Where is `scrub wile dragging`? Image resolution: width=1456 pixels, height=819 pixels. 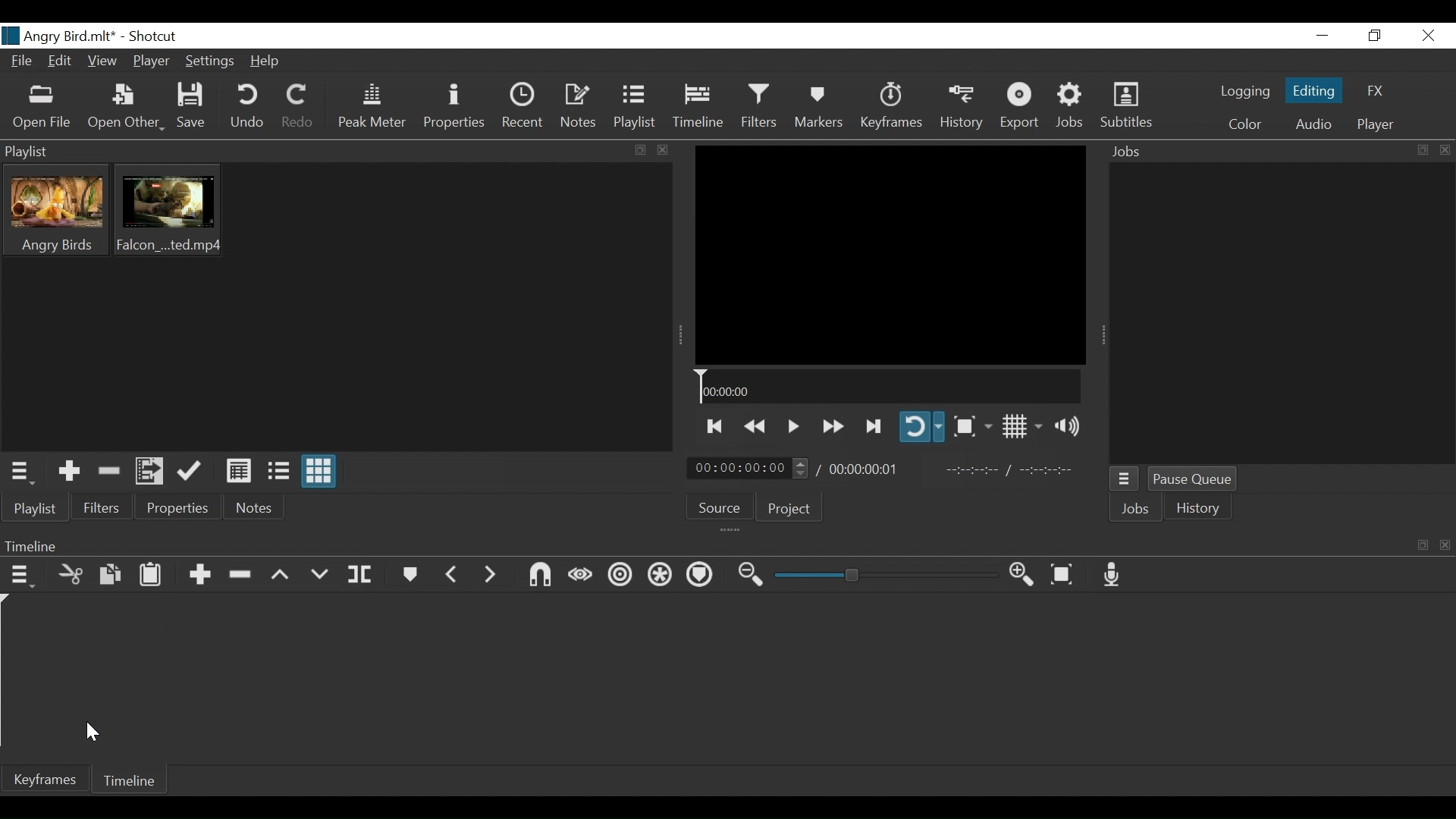
scrub wile dragging is located at coordinates (581, 576).